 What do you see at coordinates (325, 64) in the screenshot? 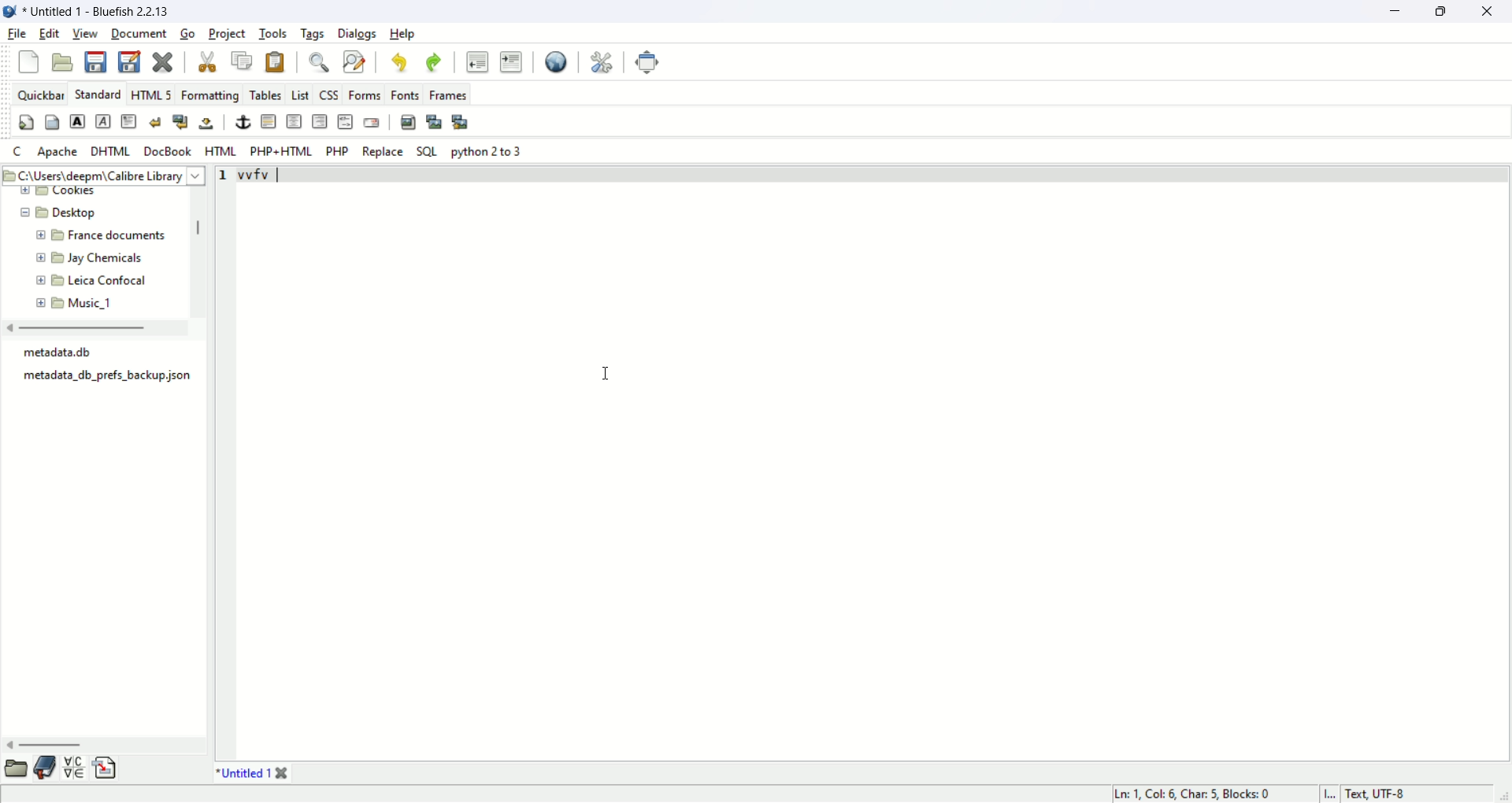
I see `find` at bounding box center [325, 64].